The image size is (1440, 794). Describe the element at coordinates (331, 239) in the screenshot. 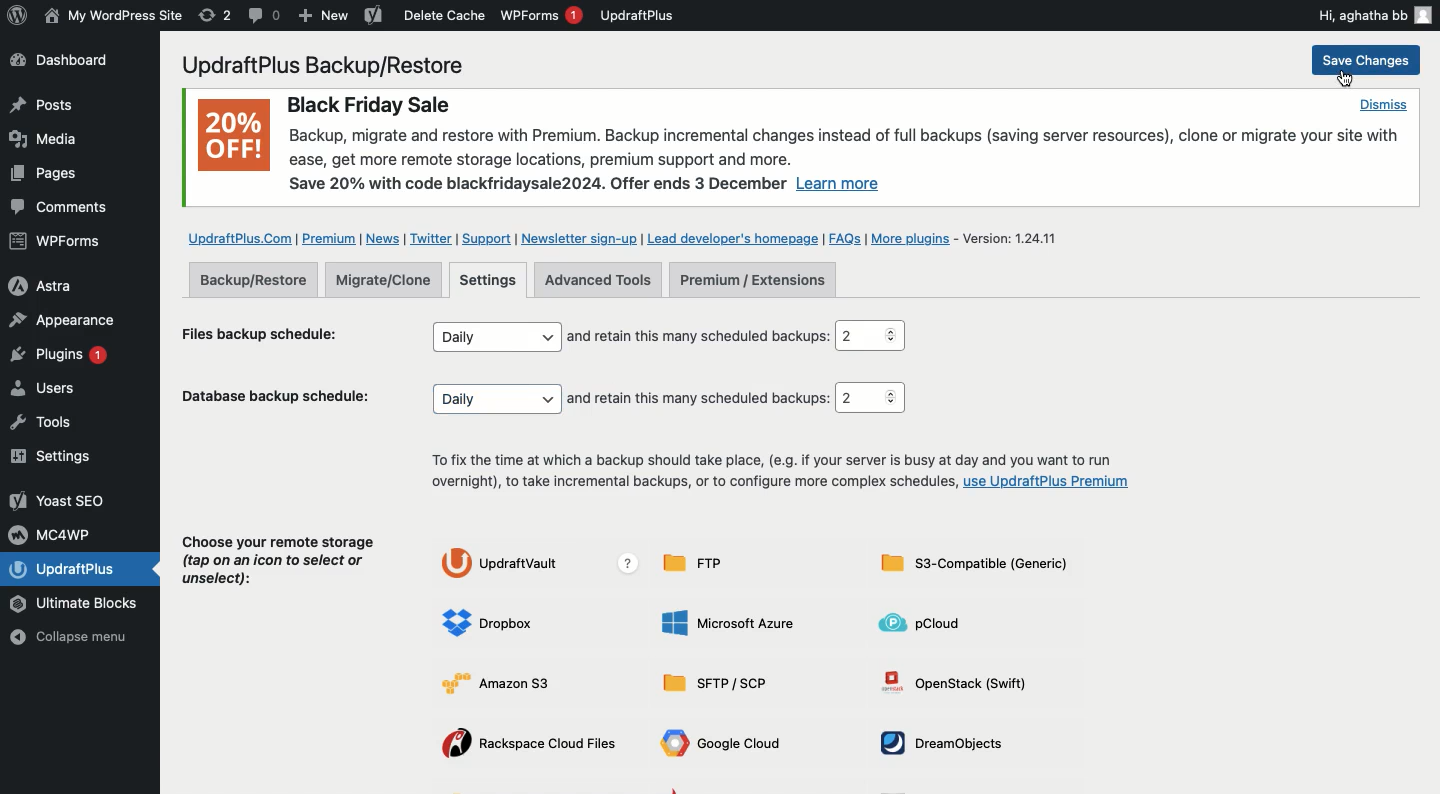

I see `Premium ` at that location.